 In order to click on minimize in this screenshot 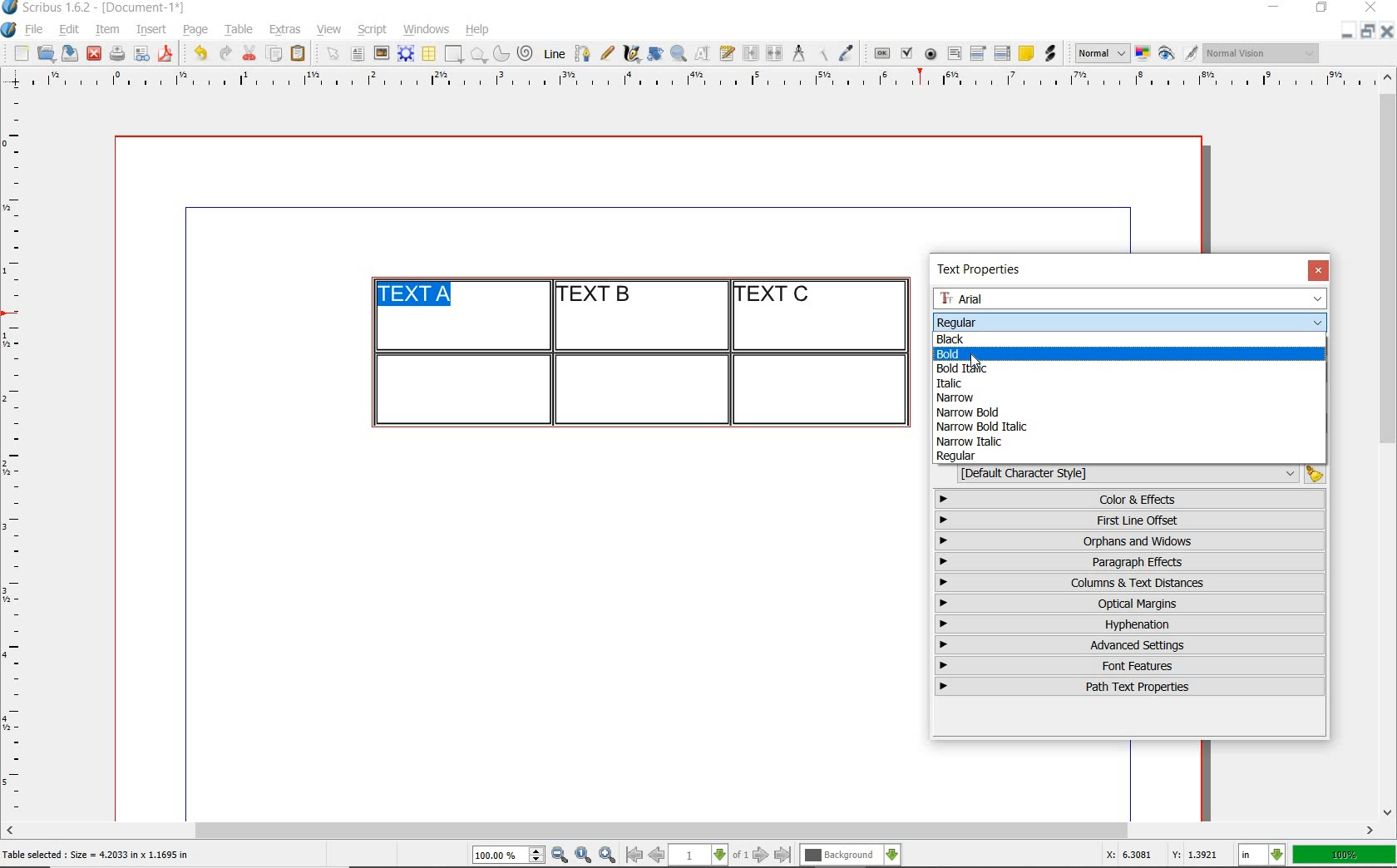, I will do `click(1348, 30)`.